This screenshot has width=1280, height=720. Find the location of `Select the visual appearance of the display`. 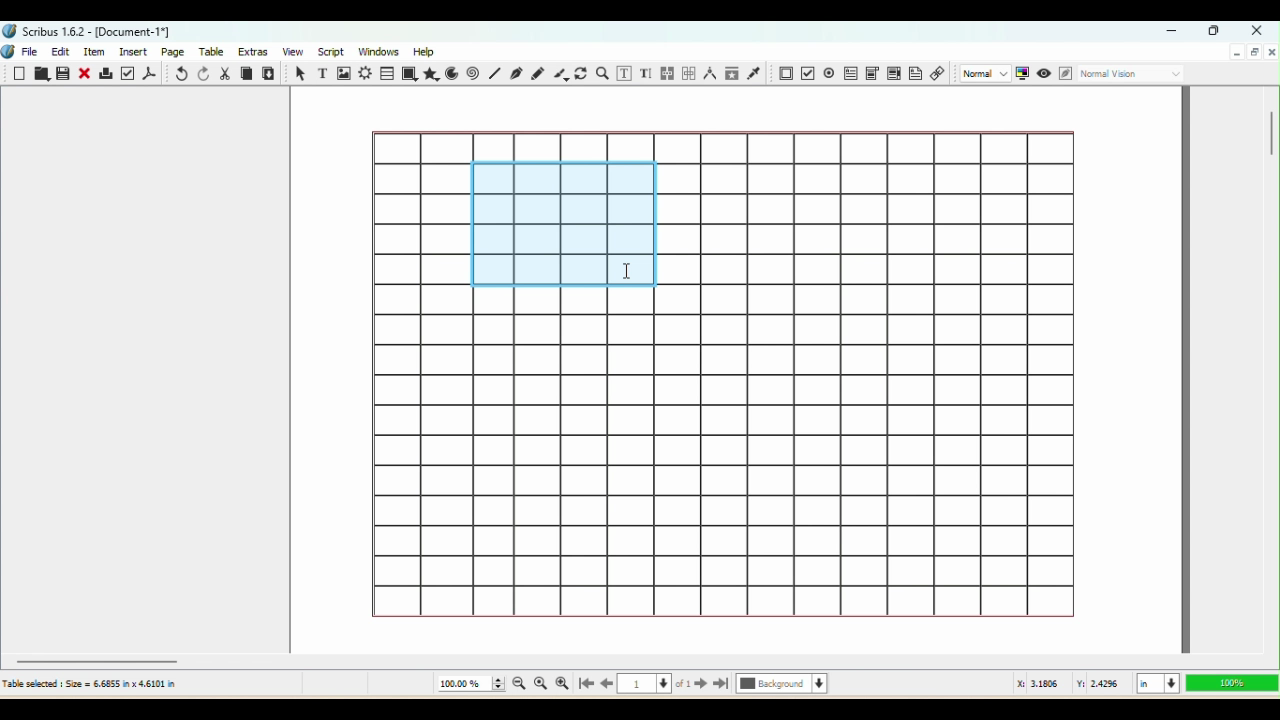

Select the visual appearance of the display is located at coordinates (1133, 75).